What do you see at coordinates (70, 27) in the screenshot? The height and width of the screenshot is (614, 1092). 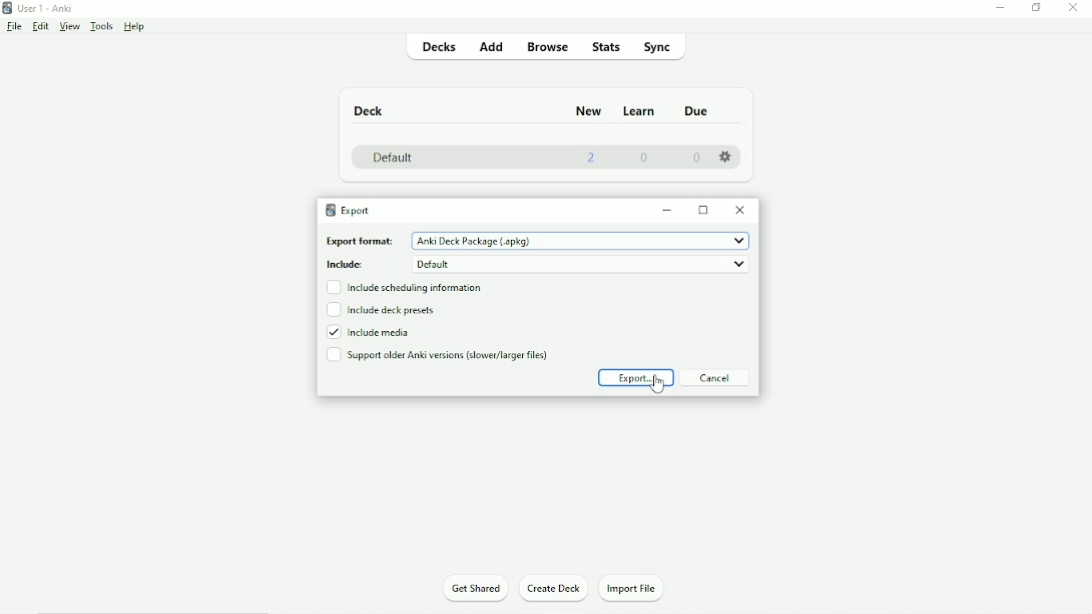 I see `View` at bounding box center [70, 27].